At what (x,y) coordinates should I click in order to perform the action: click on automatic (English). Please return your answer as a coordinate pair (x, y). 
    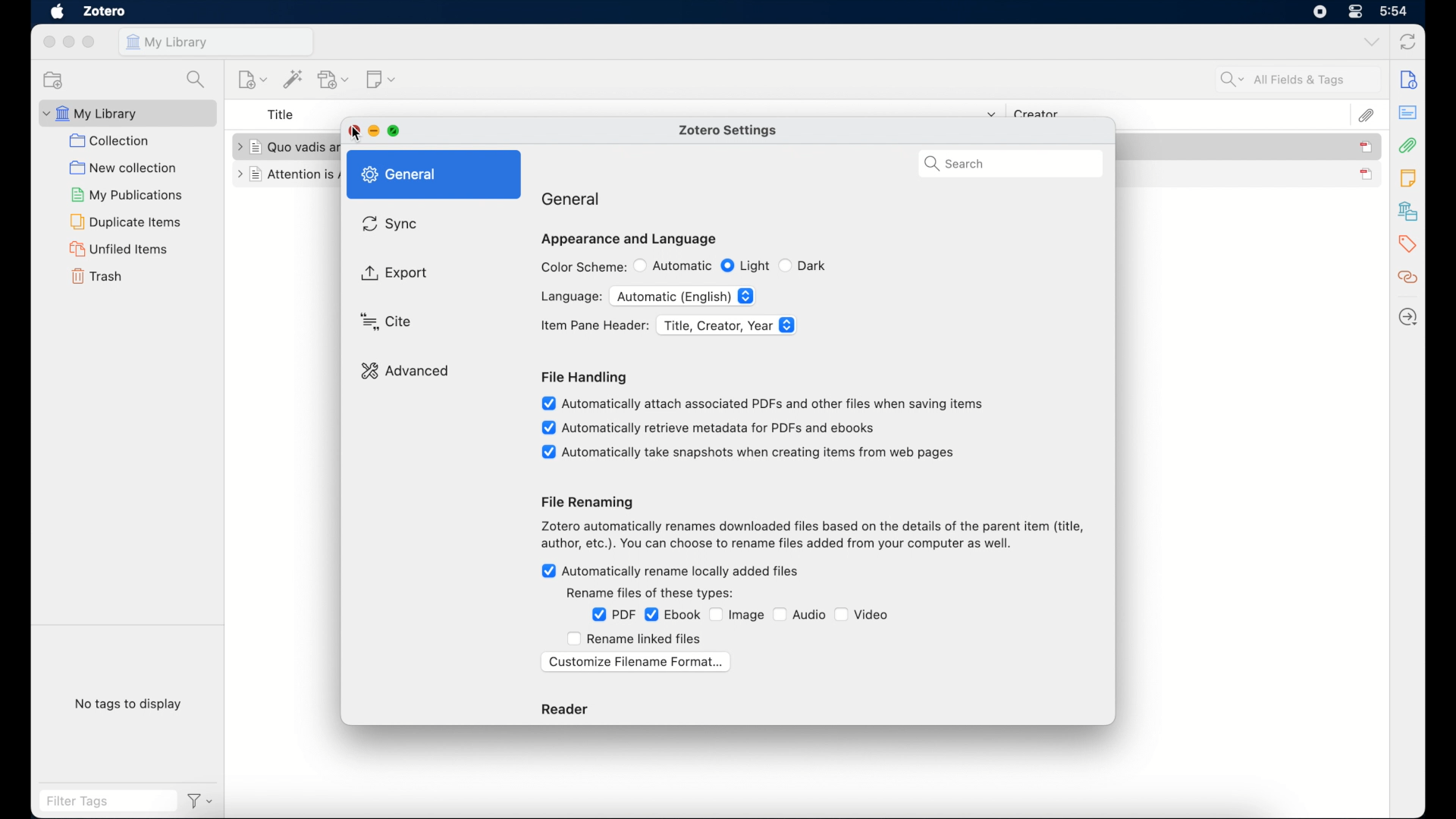
    Looking at the image, I should click on (683, 296).